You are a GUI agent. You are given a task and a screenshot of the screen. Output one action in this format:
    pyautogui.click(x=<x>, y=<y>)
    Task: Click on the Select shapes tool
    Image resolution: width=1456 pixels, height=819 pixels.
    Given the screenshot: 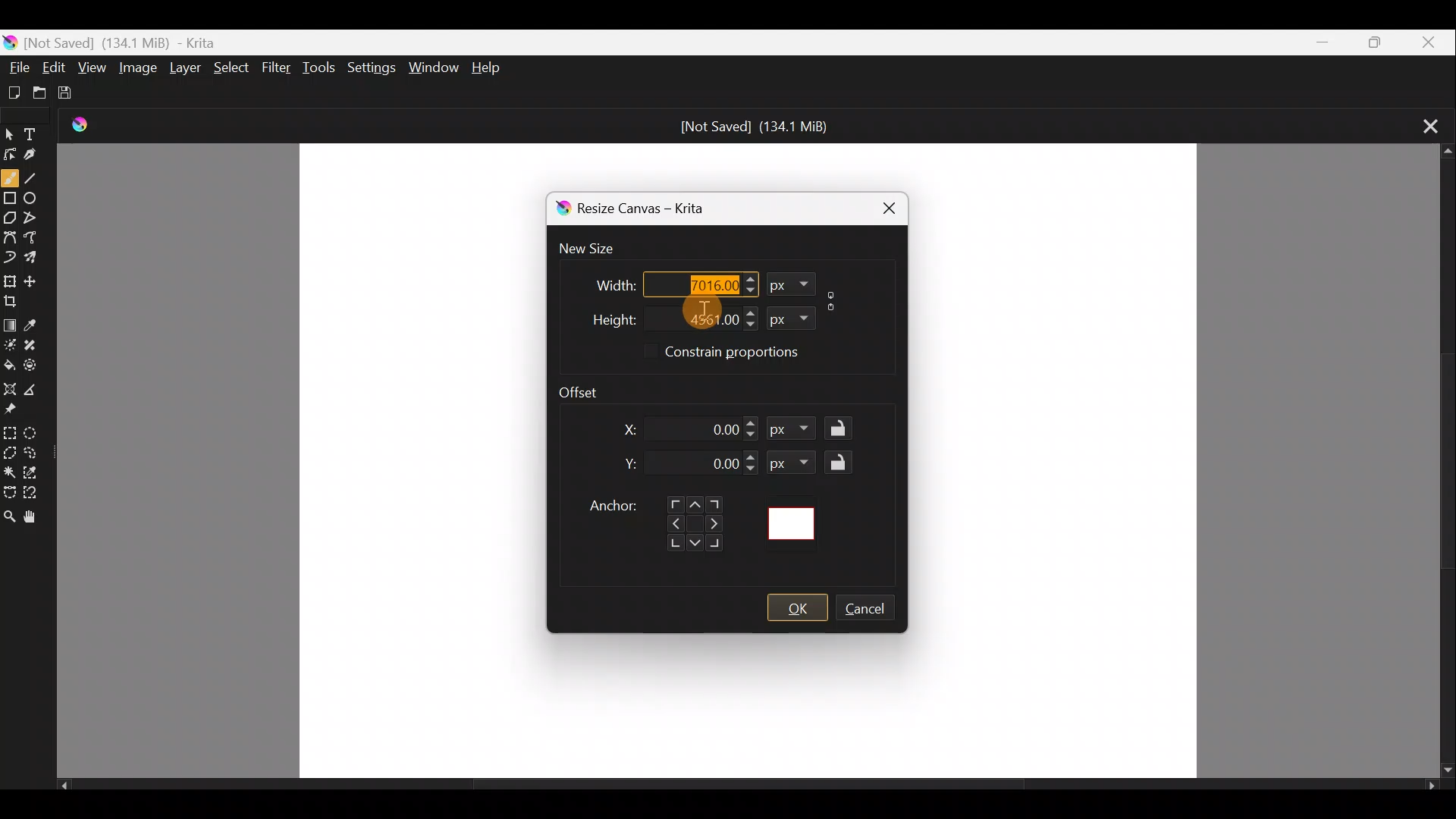 What is the action you would take?
    pyautogui.click(x=11, y=130)
    